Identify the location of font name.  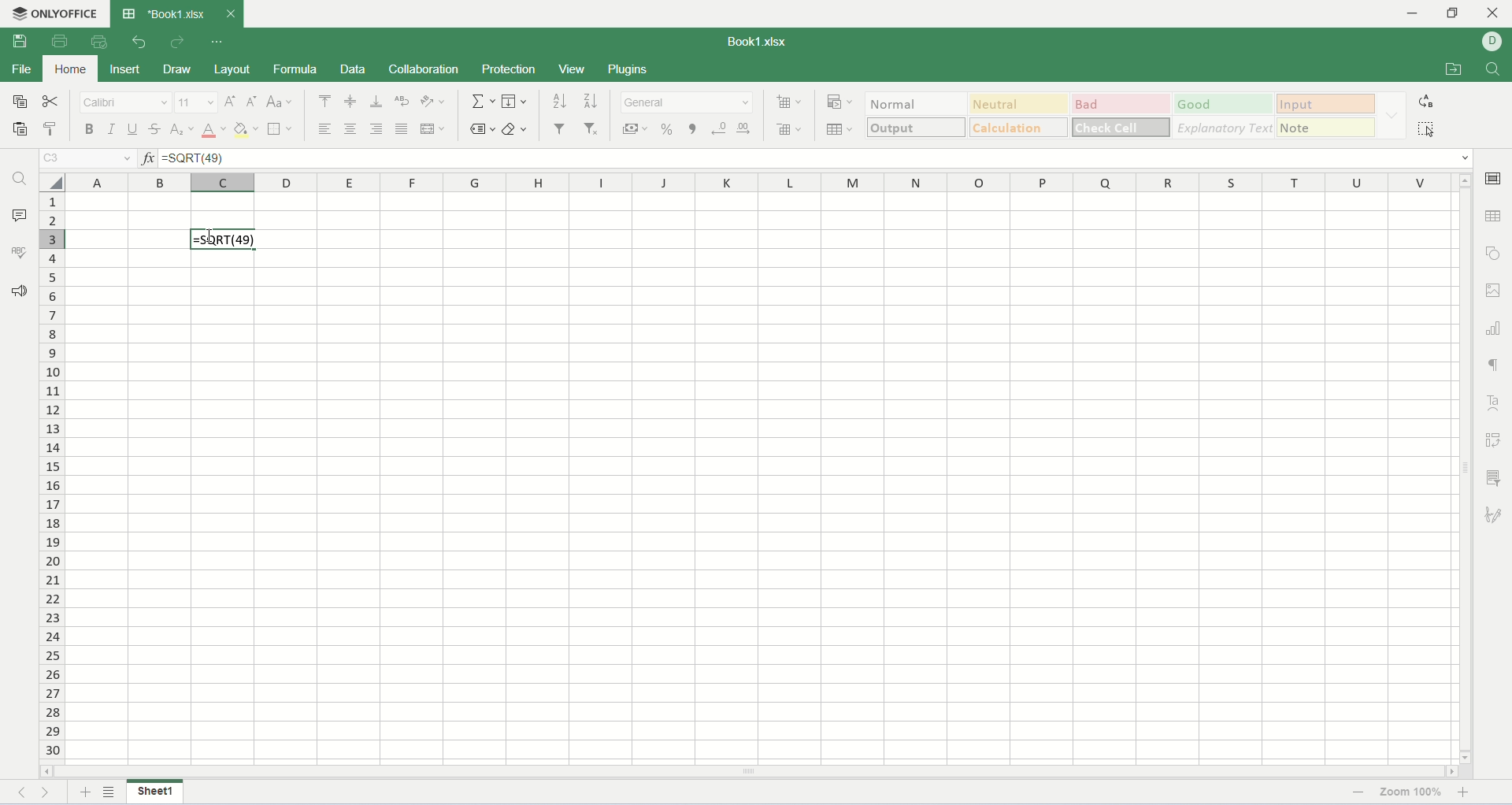
(125, 103).